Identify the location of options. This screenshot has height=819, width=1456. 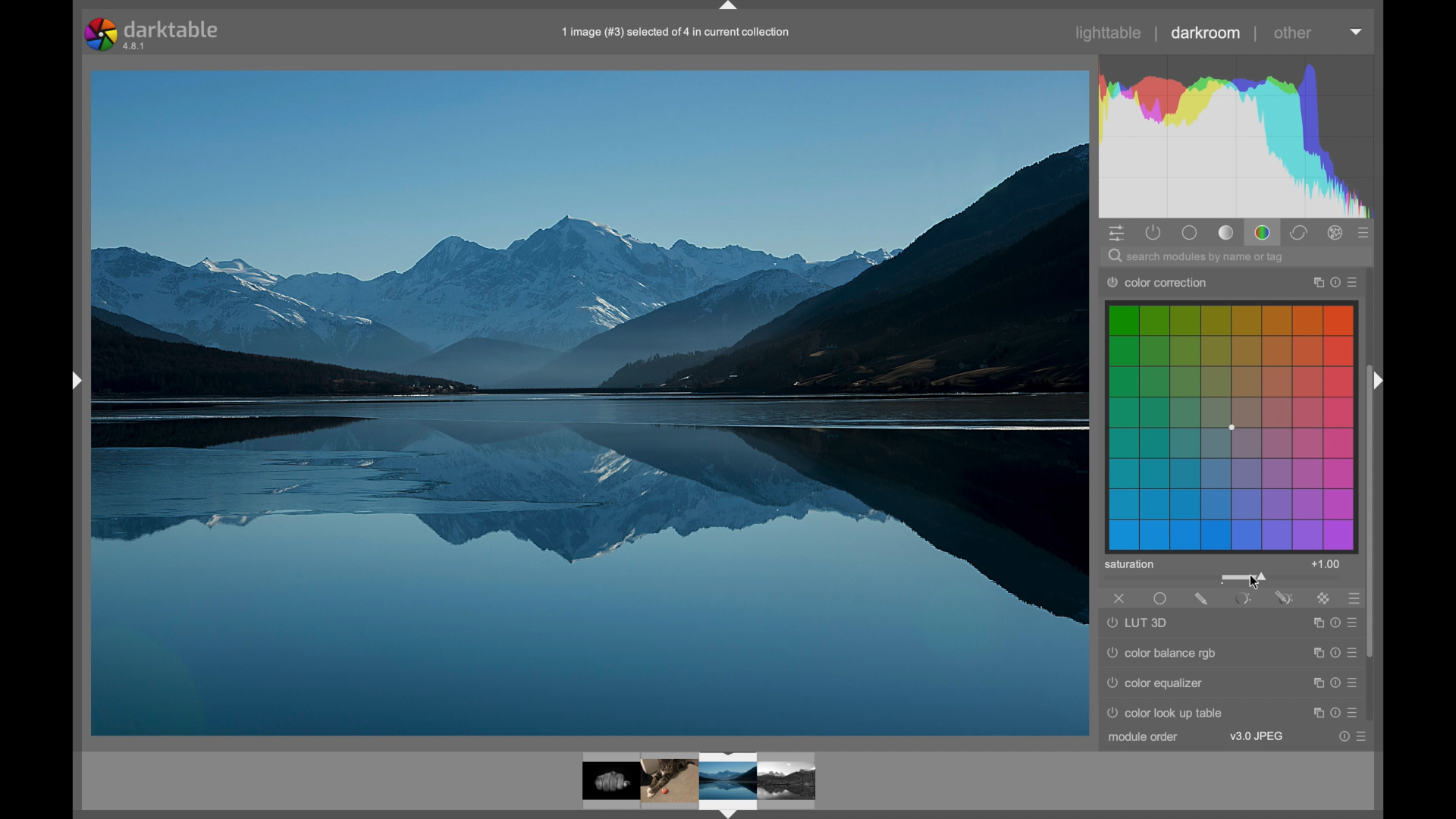
(1332, 623).